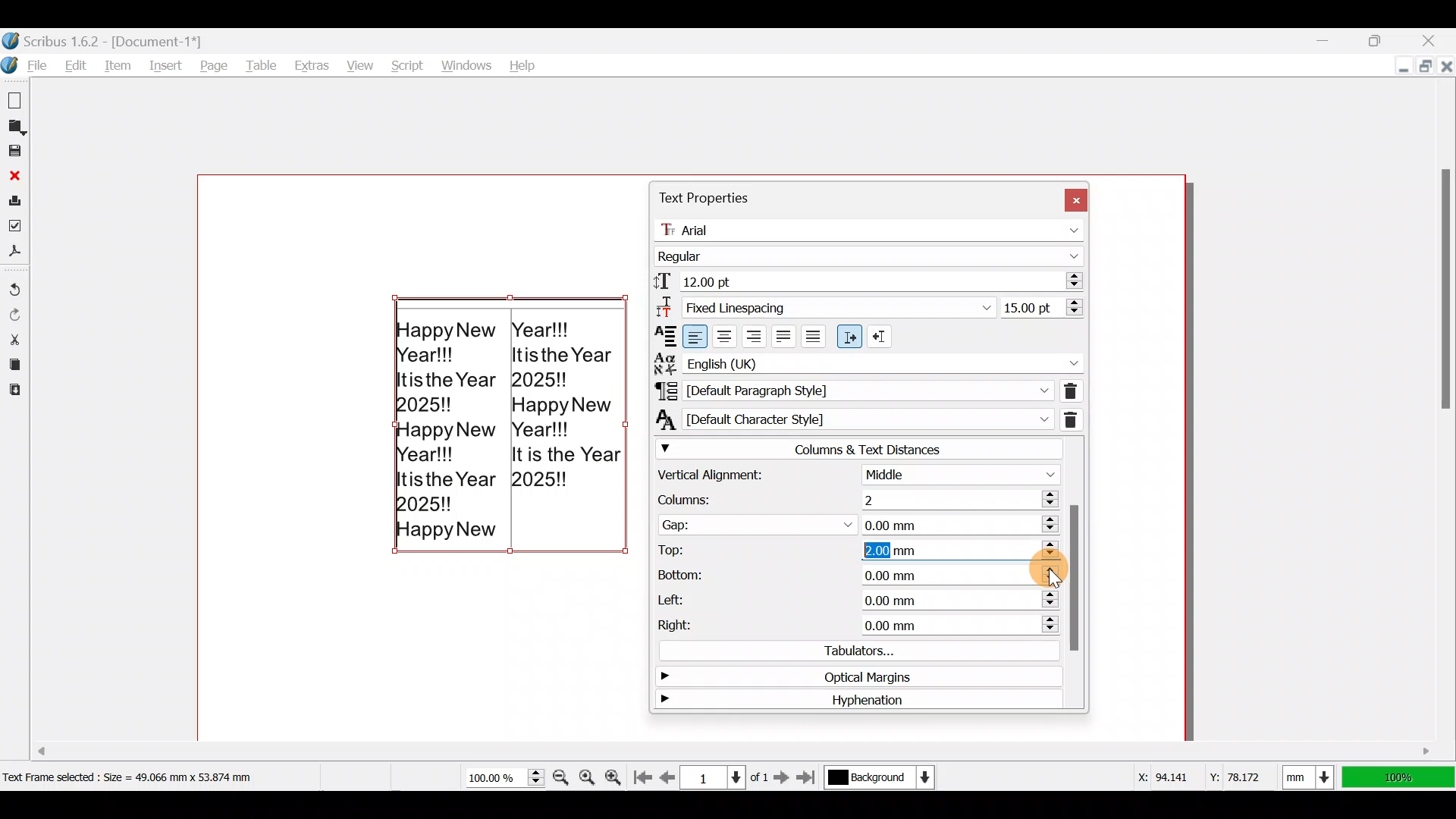 The width and height of the screenshot is (1456, 819). I want to click on Close, so click(1075, 198).